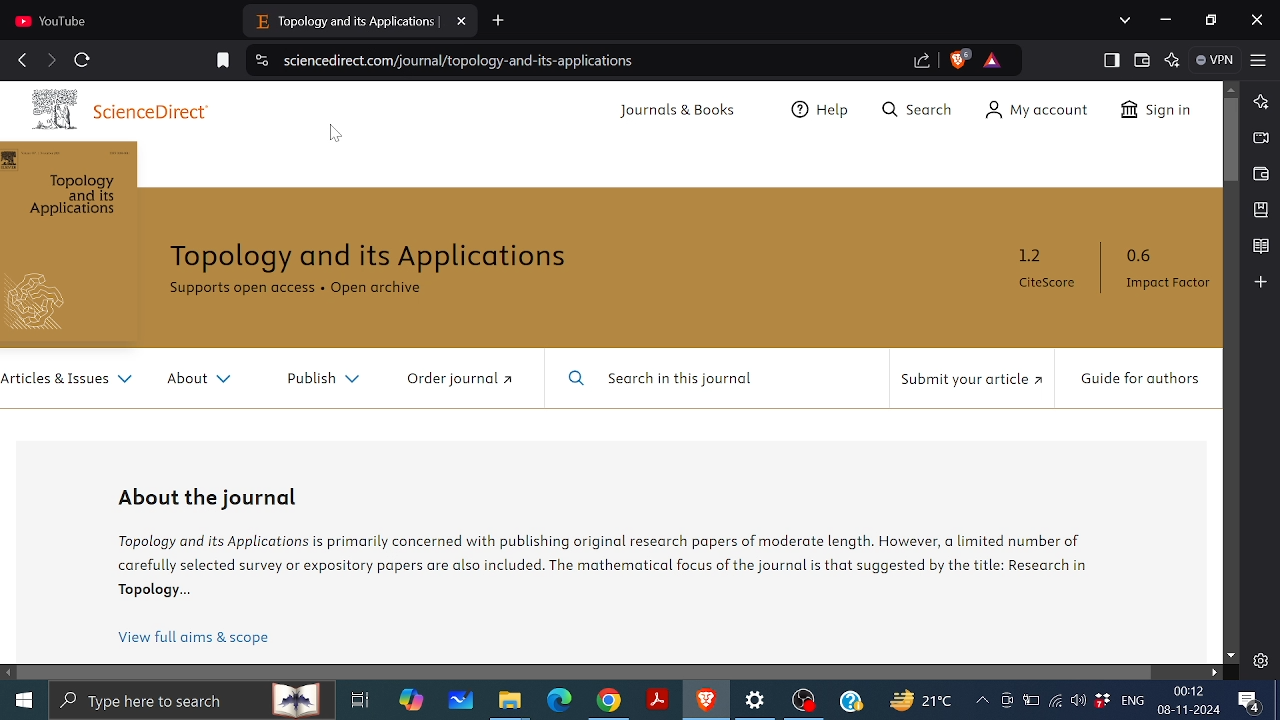  Describe the element at coordinates (1260, 660) in the screenshot. I see `Settings` at that location.